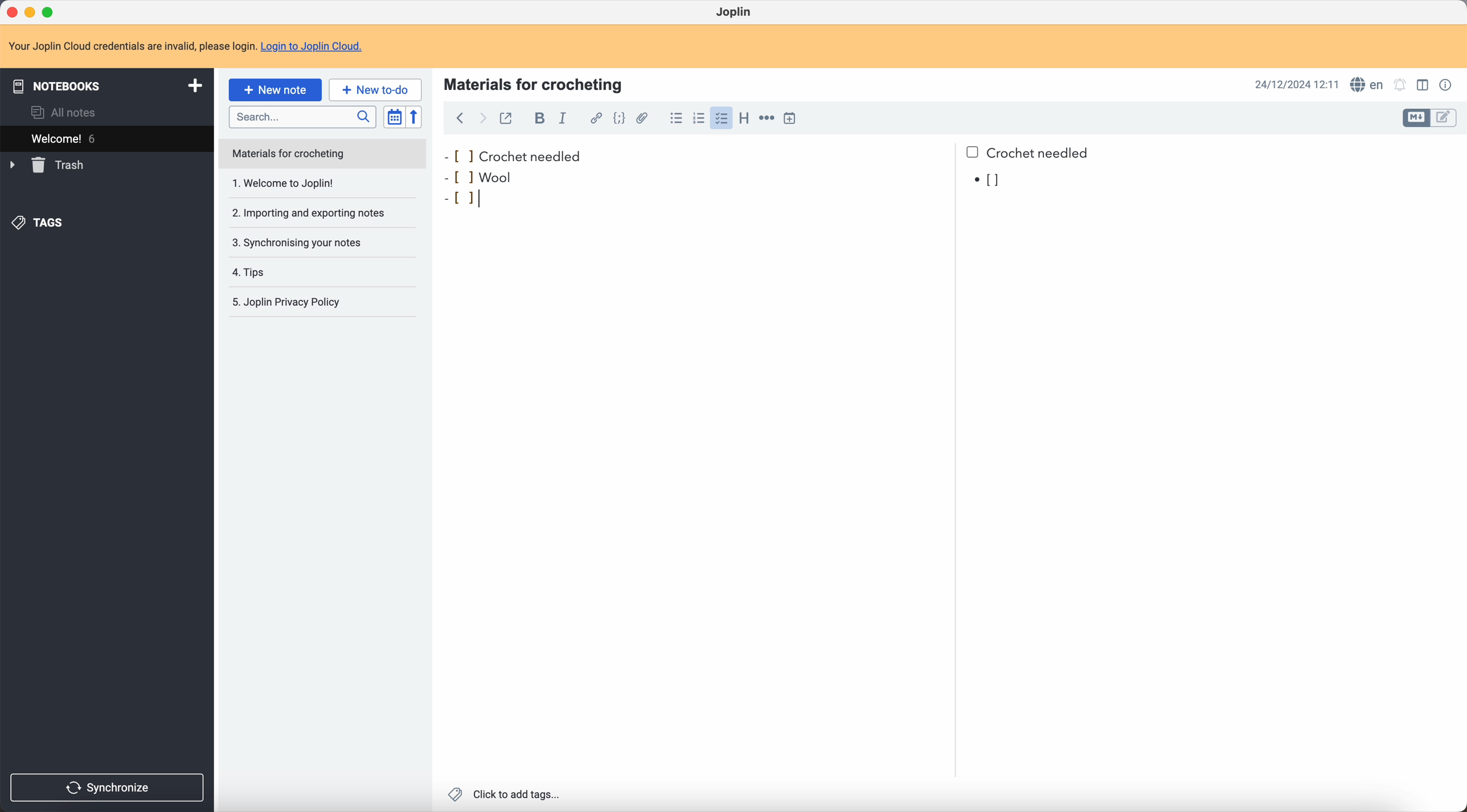 The height and width of the screenshot is (812, 1467). What do you see at coordinates (106, 137) in the screenshot?
I see `welcome` at bounding box center [106, 137].